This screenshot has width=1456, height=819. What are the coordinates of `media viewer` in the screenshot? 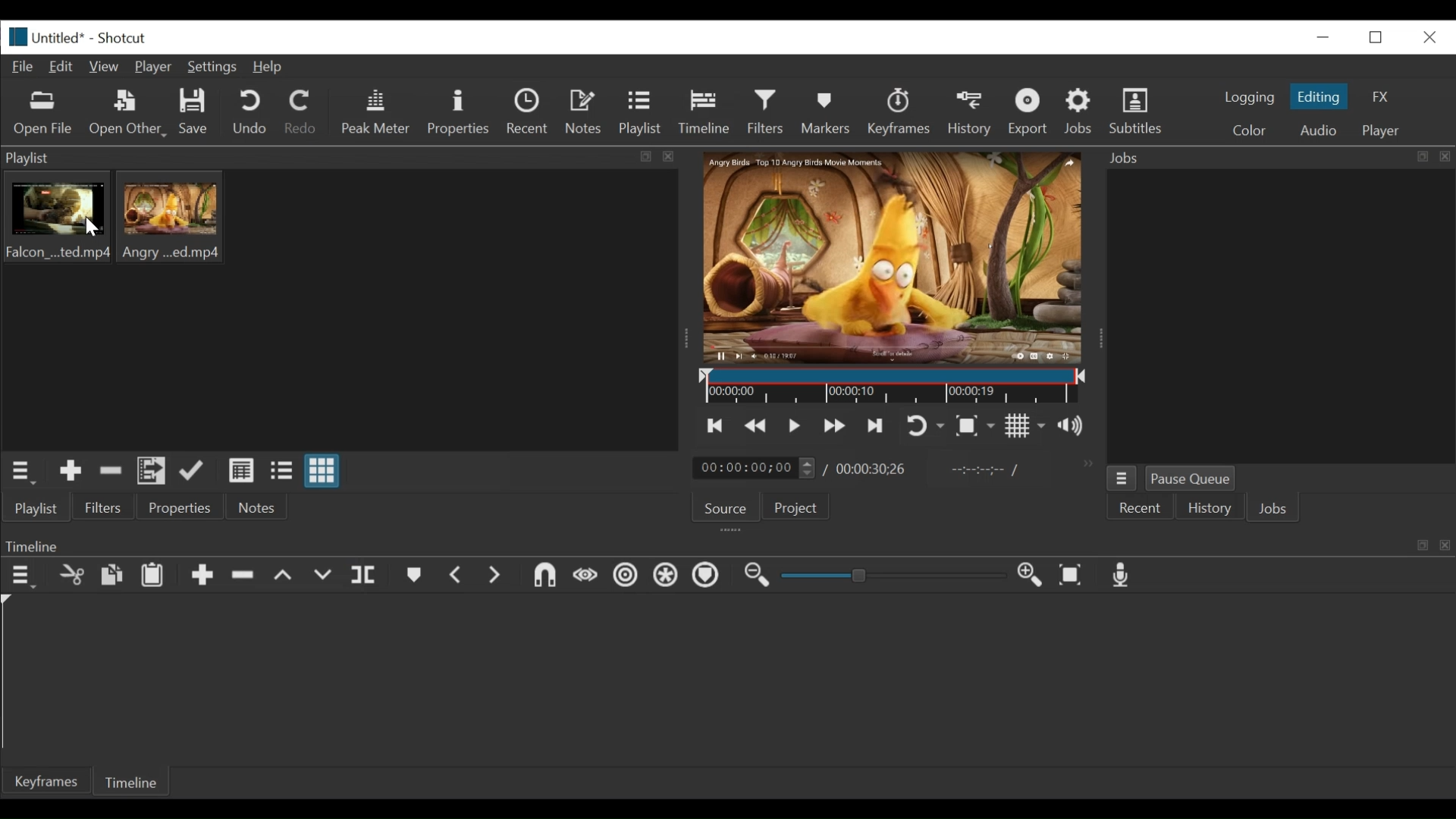 It's located at (890, 257).